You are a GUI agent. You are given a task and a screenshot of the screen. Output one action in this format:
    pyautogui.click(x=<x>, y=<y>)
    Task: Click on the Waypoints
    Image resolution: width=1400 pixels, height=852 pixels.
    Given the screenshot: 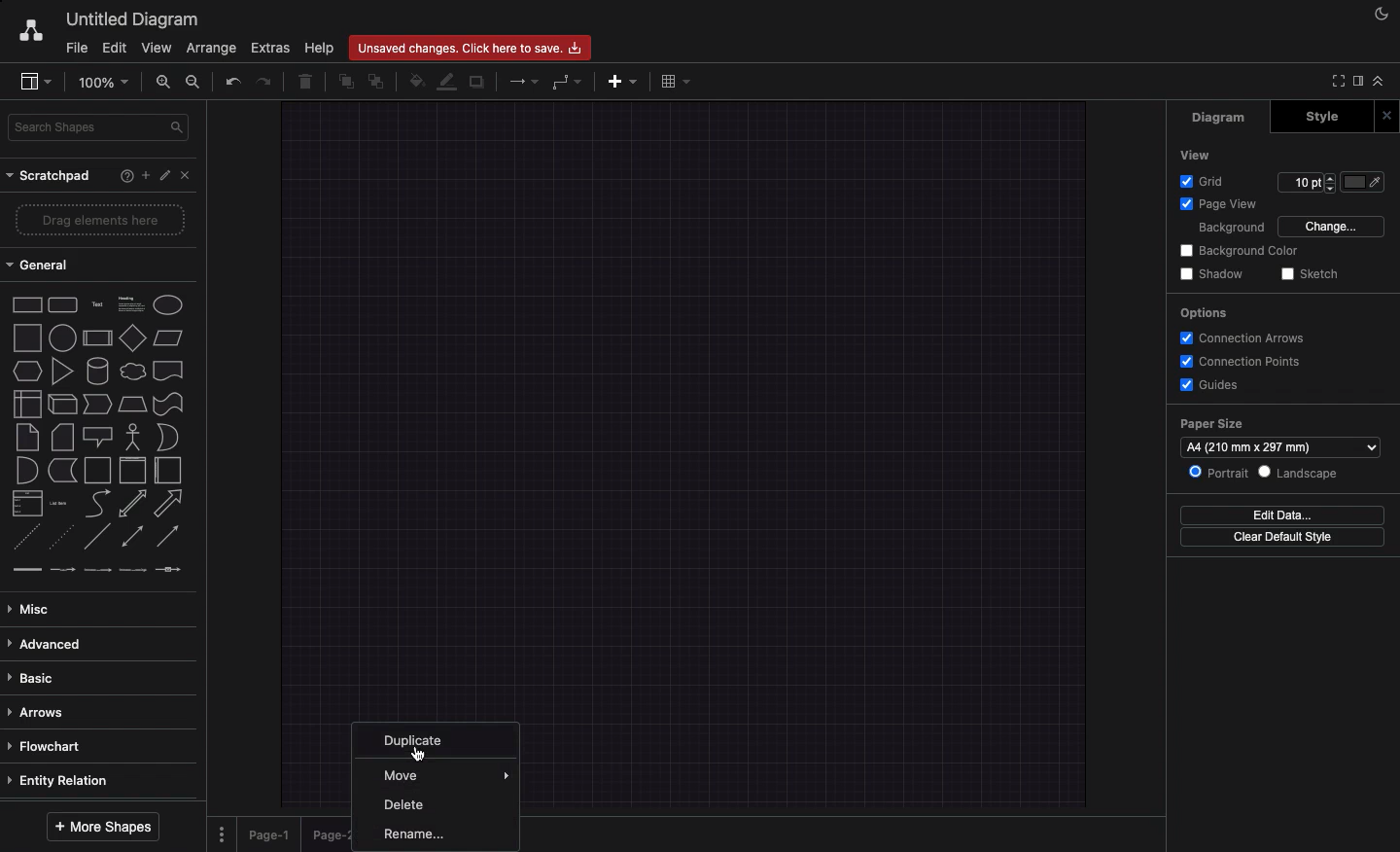 What is the action you would take?
    pyautogui.click(x=566, y=80)
    